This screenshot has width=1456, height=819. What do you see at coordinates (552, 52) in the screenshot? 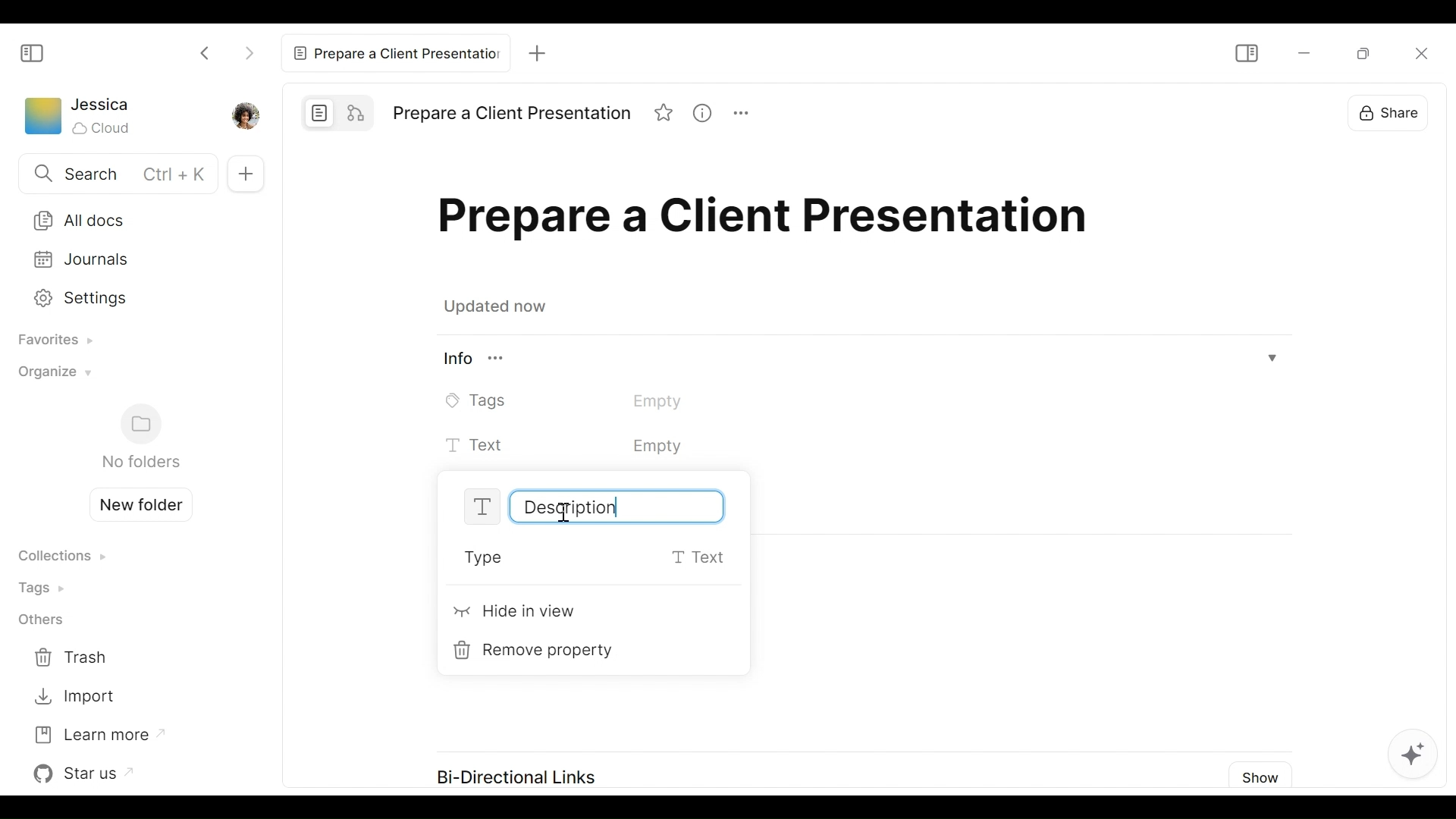
I see `New Tab` at bounding box center [552, 52].